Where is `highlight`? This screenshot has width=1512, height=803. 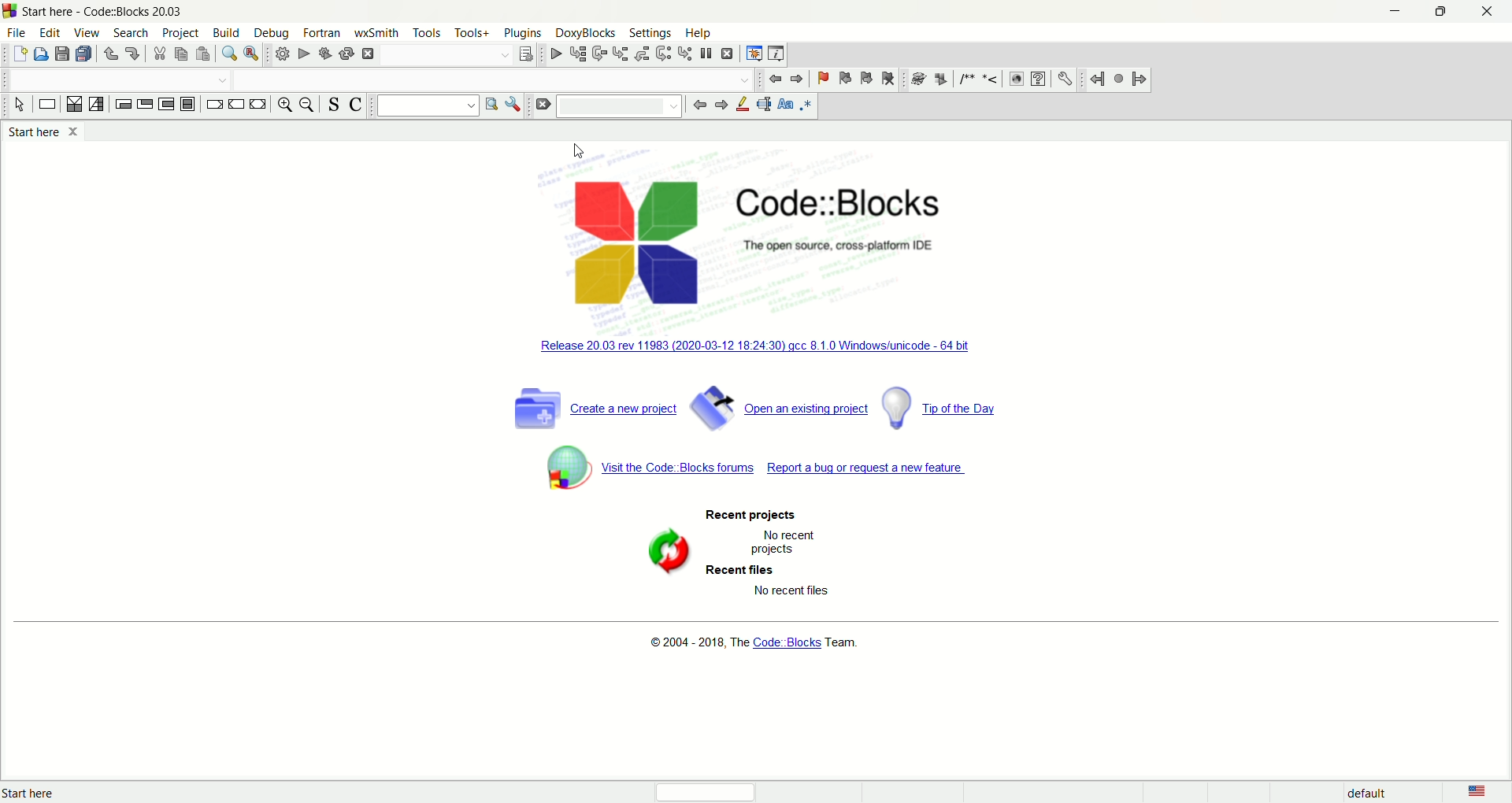 highlight is located at coordinates (741, 105).